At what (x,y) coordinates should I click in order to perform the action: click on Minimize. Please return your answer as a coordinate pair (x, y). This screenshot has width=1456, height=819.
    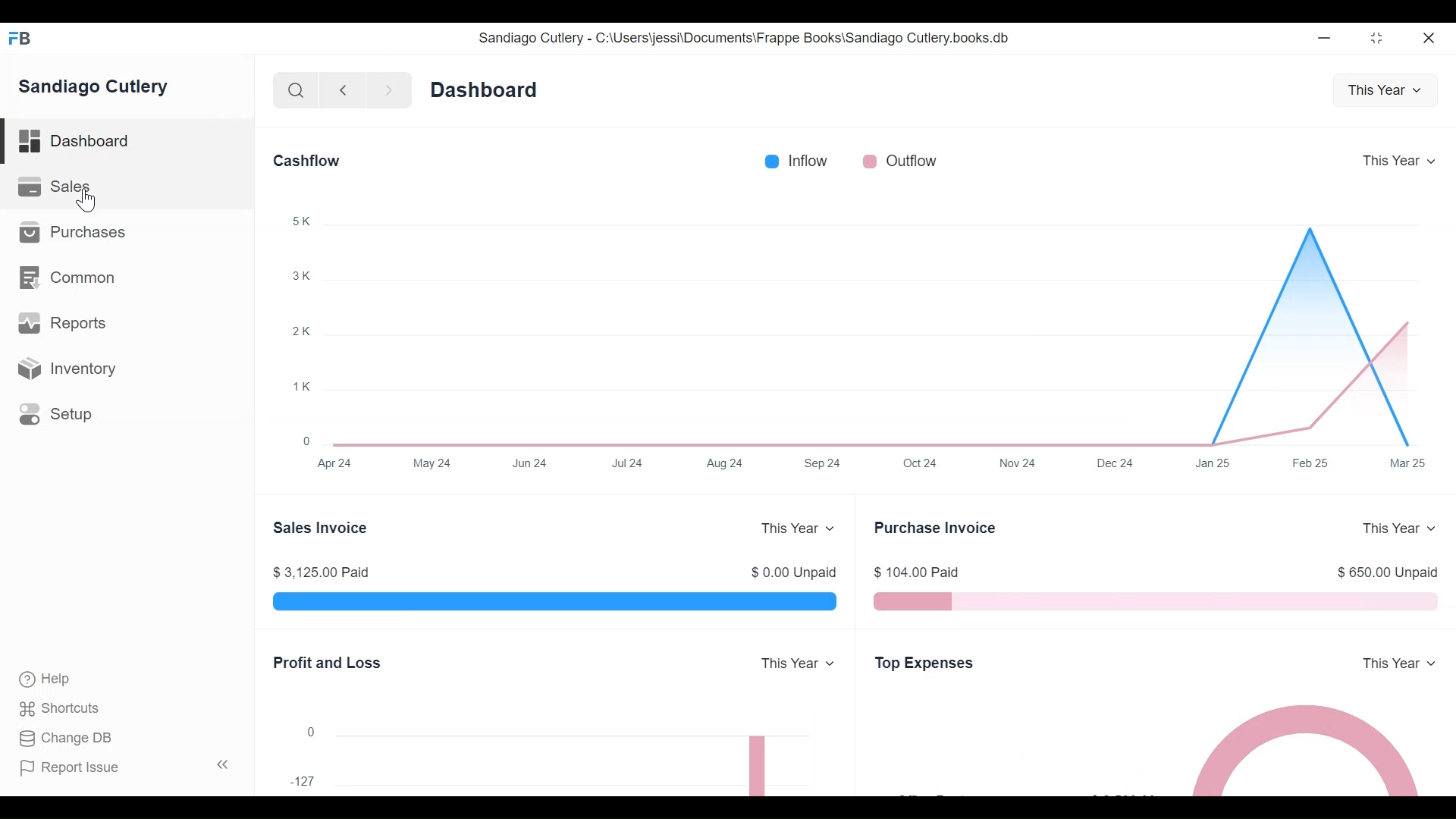
    Looking at the image, I should click on (1323, 38).